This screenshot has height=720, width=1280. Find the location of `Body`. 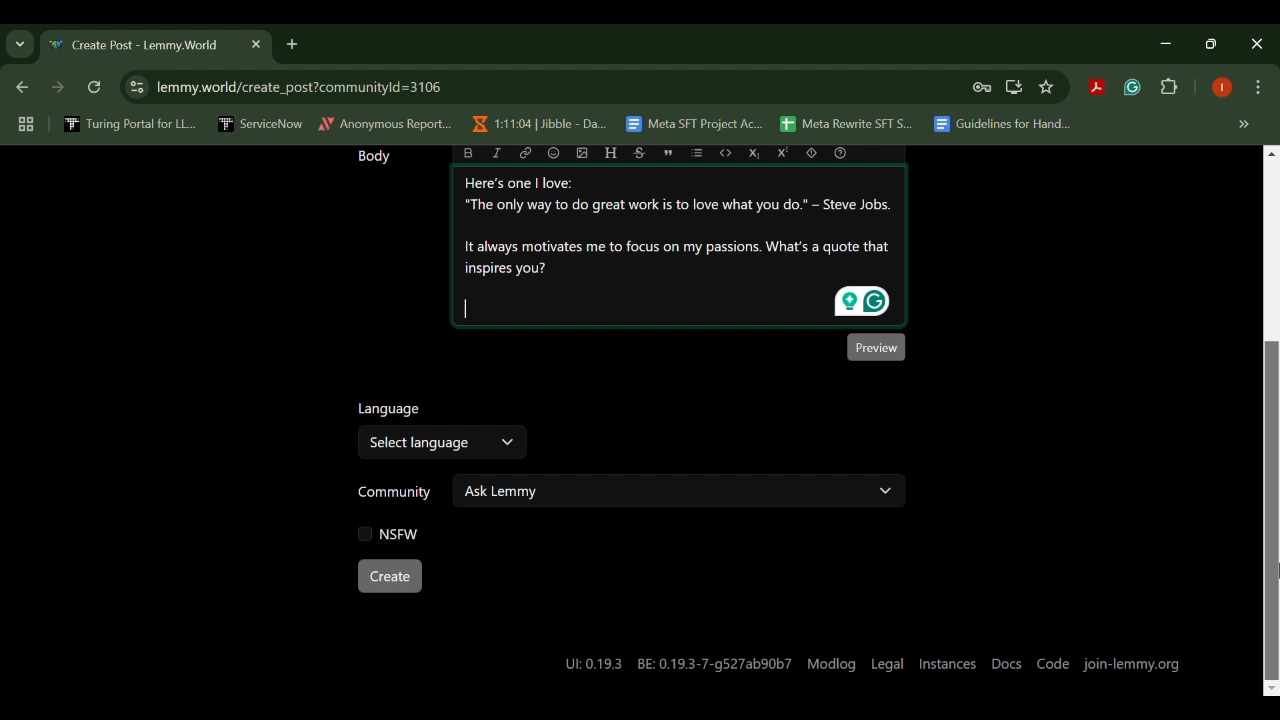

Body is located at coordinates (370, 158).